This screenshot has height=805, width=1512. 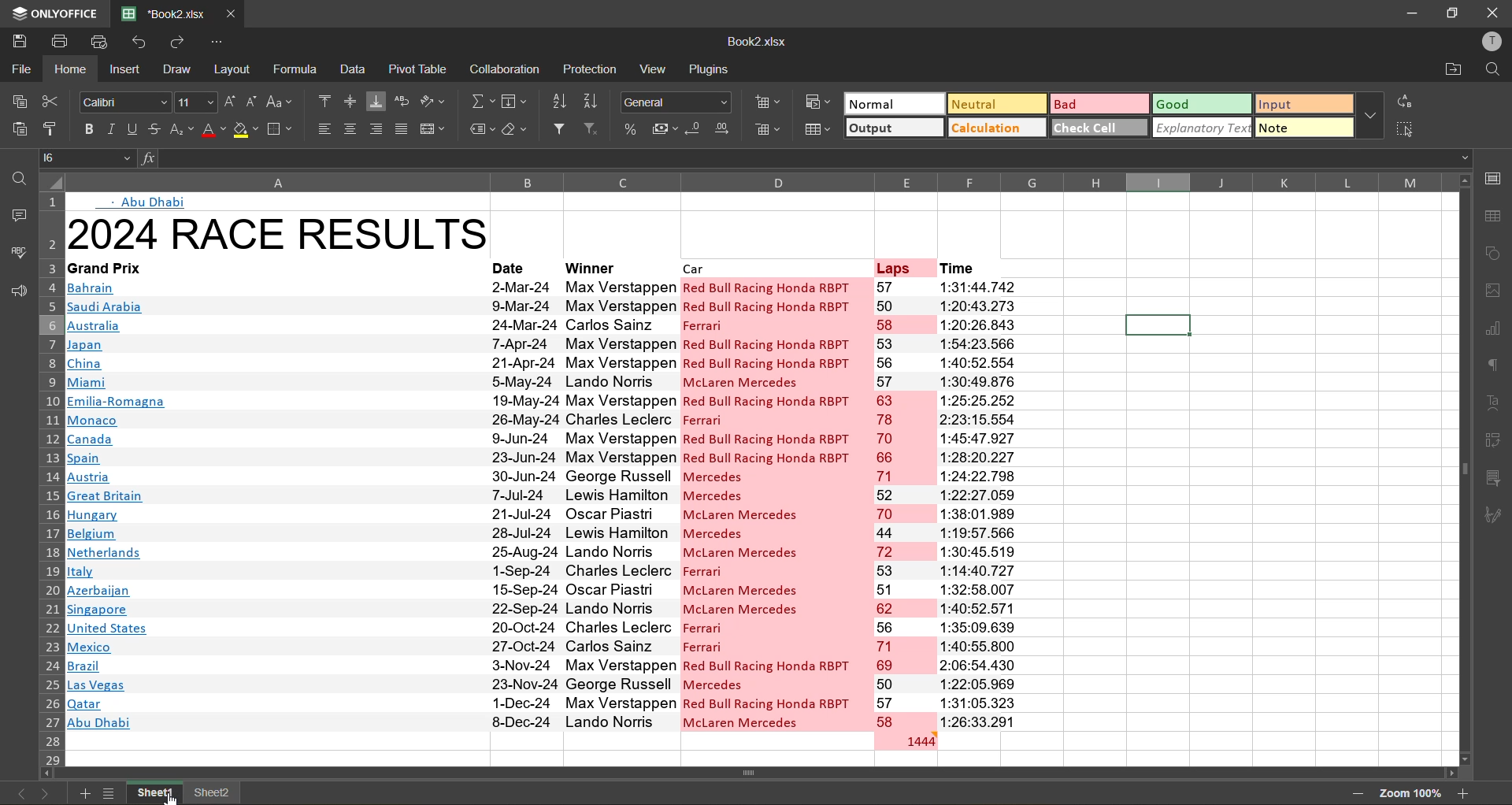 What do you see at coordinates (403, 102) in the screenshot?
I see `wrap text` at bounding box center [403, 102].